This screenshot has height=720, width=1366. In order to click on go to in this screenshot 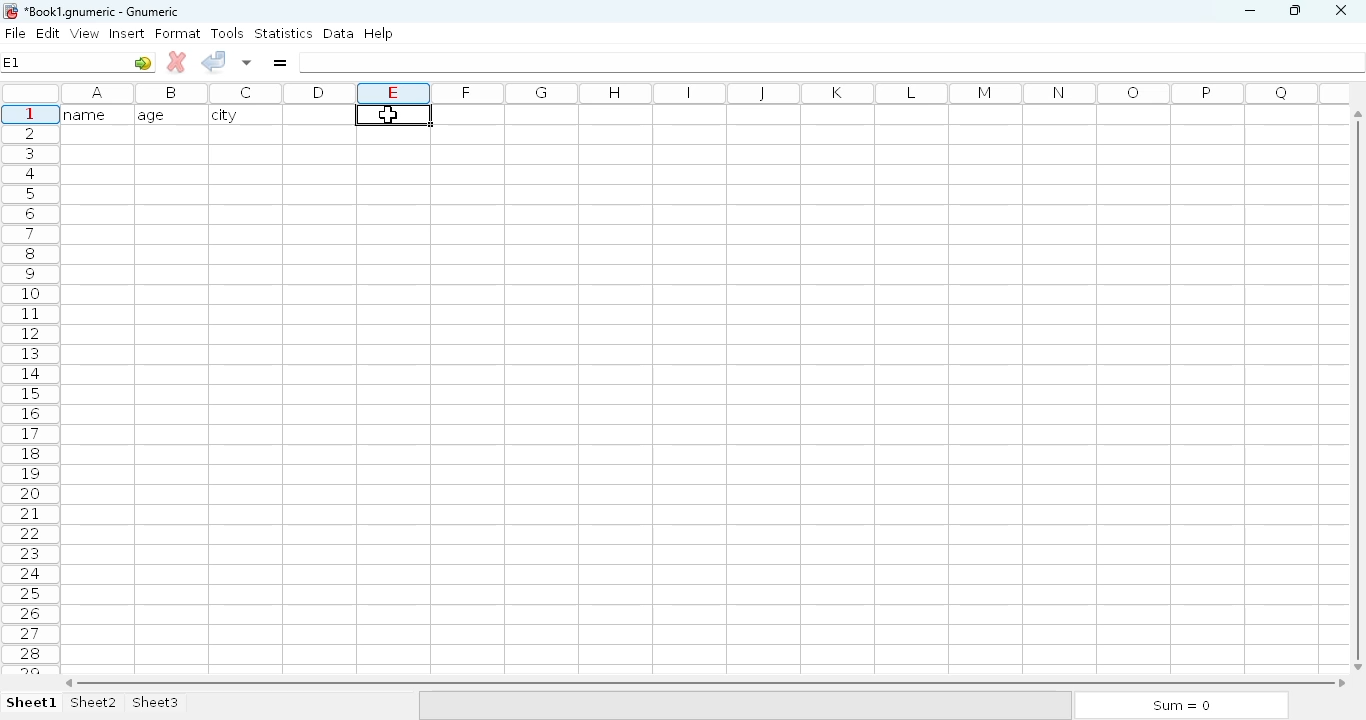, I will do `click(143, 62)`.